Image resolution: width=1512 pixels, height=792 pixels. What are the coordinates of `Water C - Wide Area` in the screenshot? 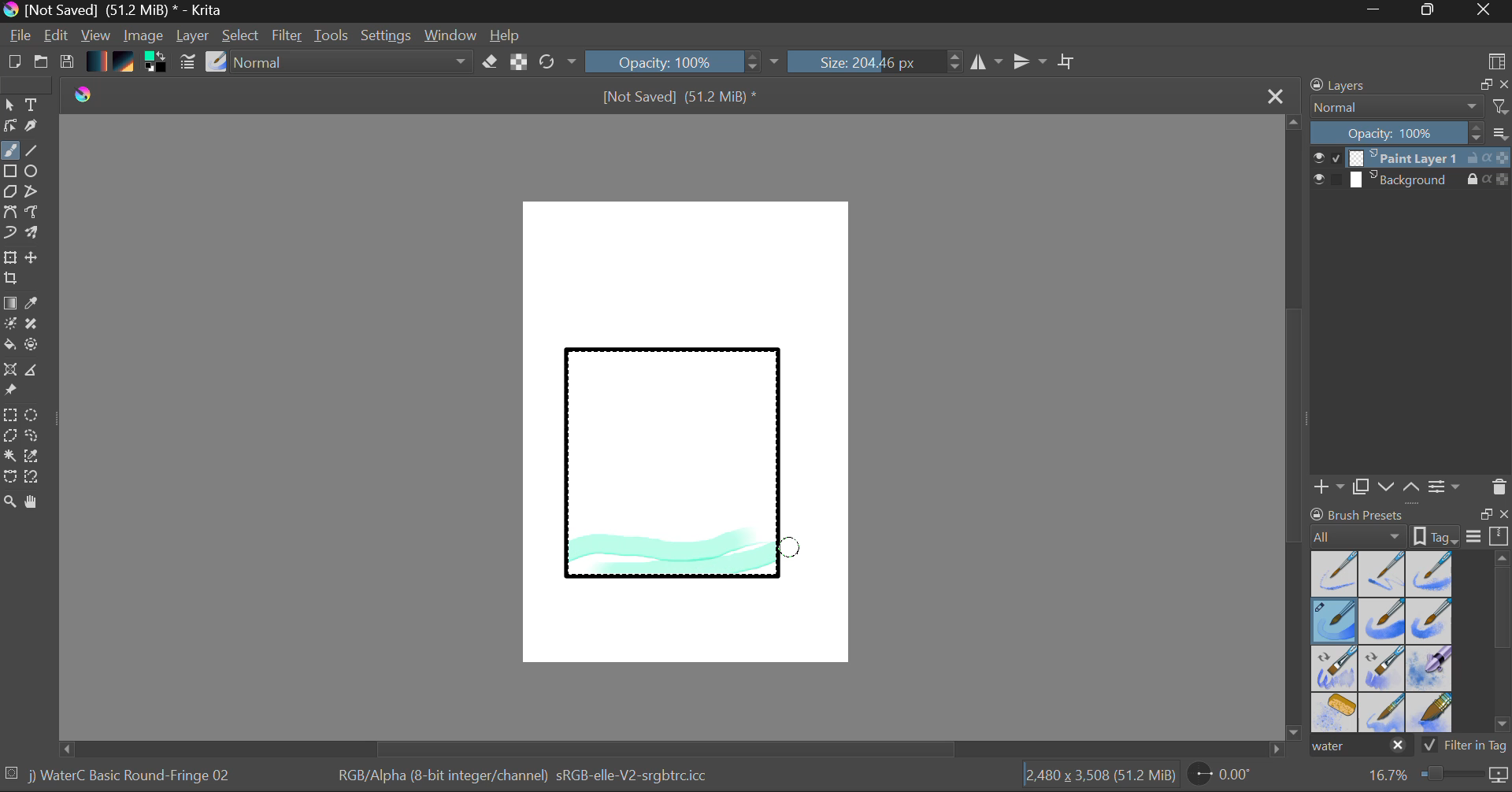 It's located at (1432, 713).